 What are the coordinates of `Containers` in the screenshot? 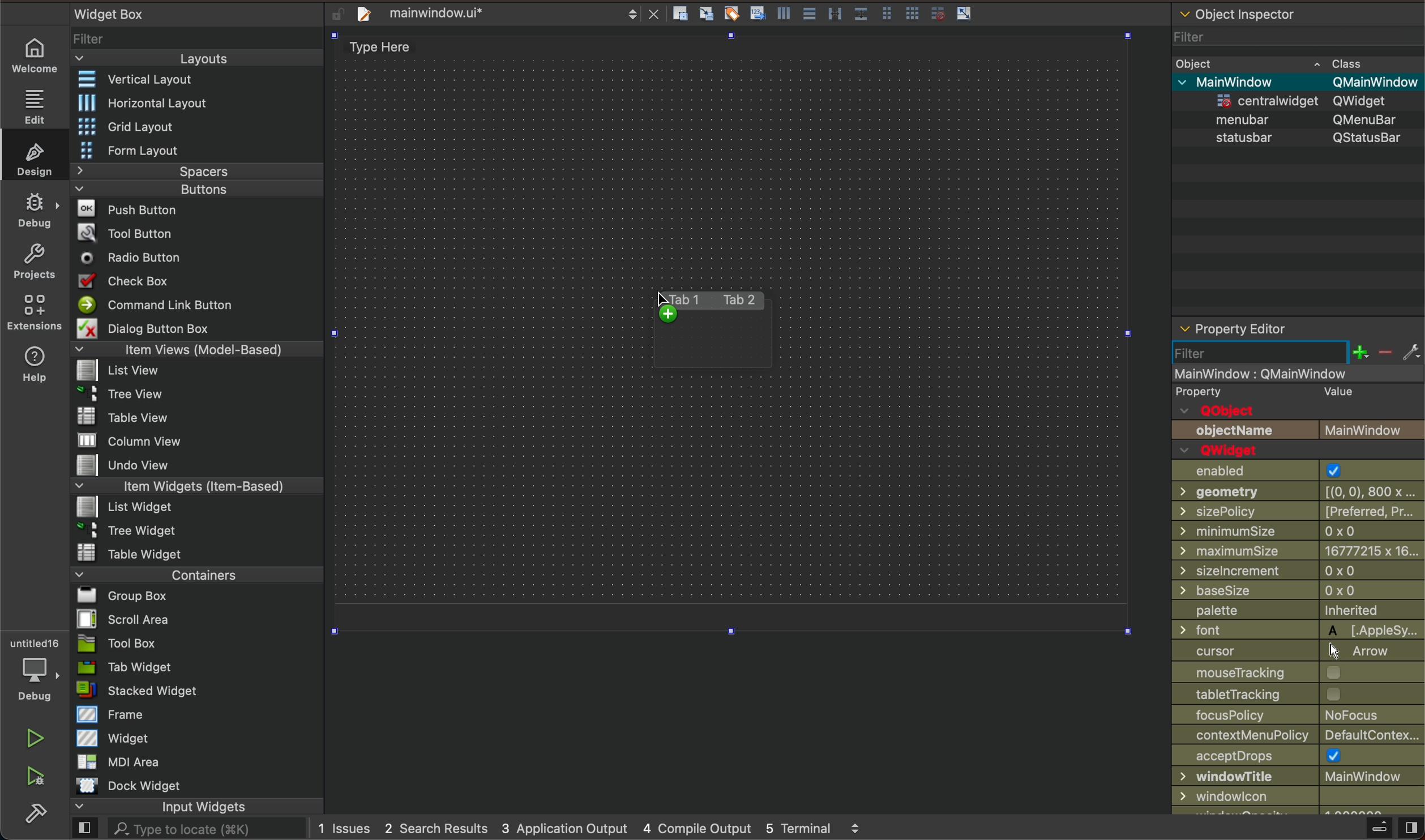 It's located at (194, 573).